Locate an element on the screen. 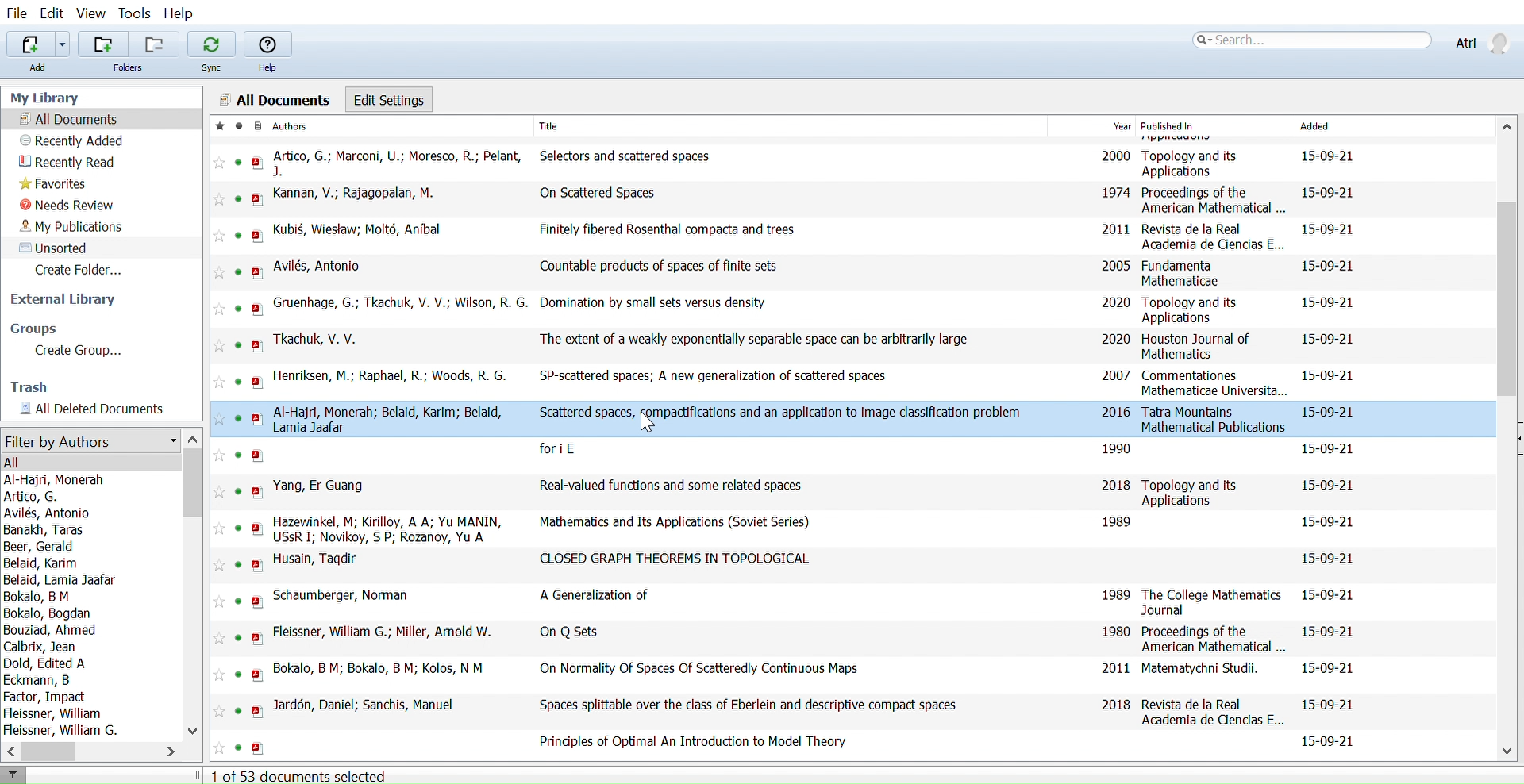  fori E is located at coordinates (559, 448).